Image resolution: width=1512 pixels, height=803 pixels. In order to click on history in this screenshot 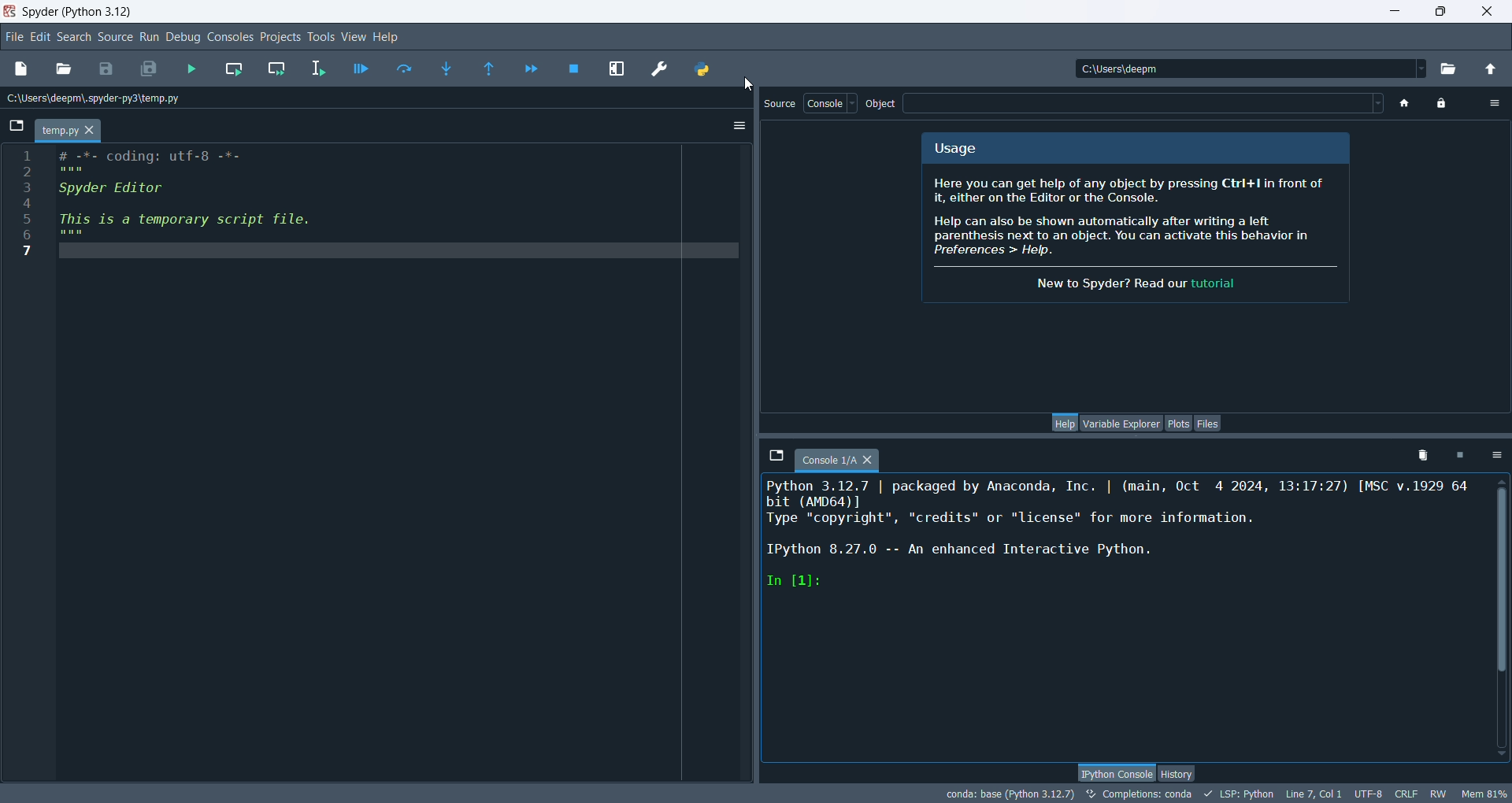, I will do `click(1176, 772)`.